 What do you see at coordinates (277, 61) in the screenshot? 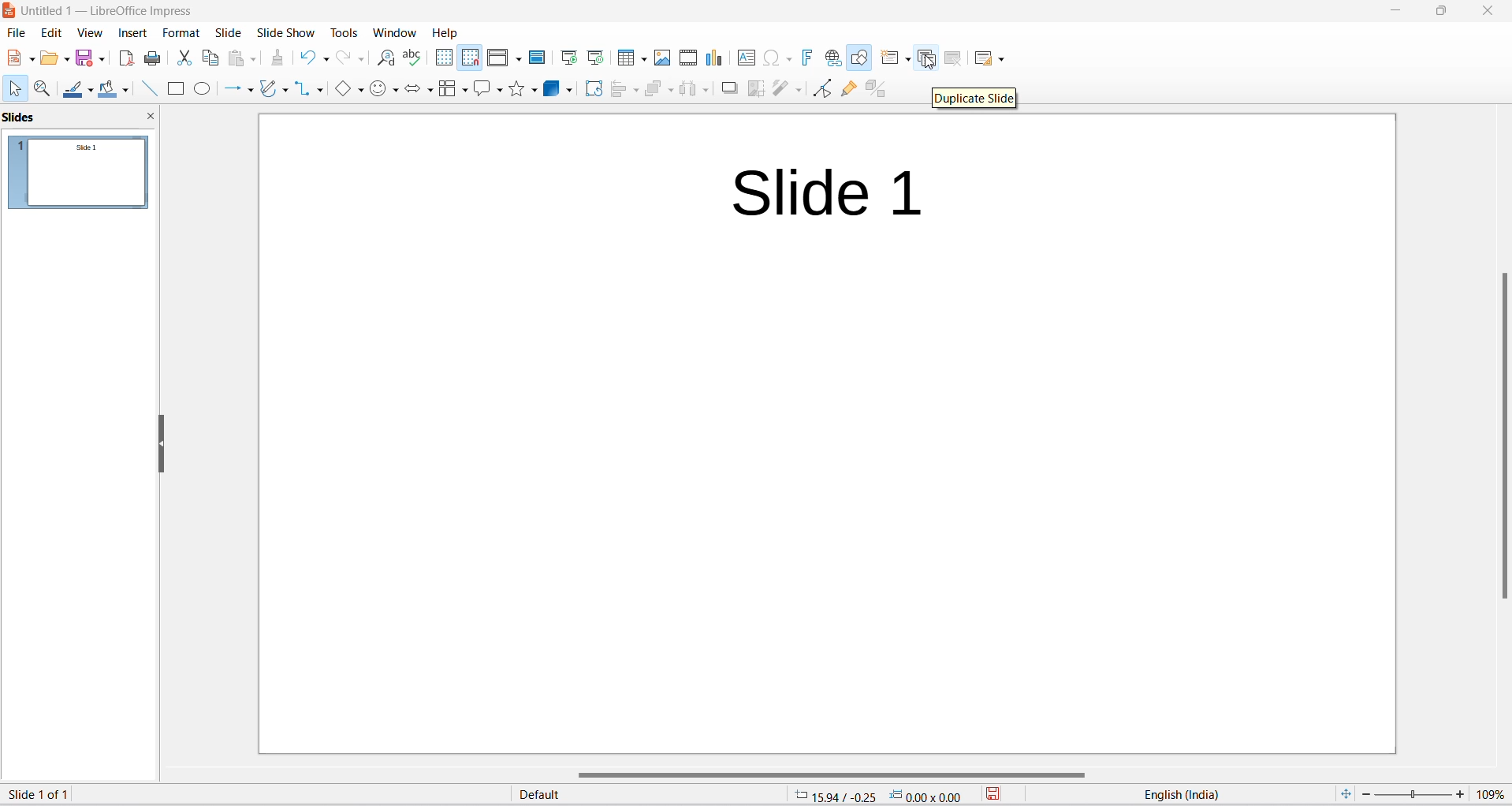
I see `clone formatting` at bounding box center [277, 61].